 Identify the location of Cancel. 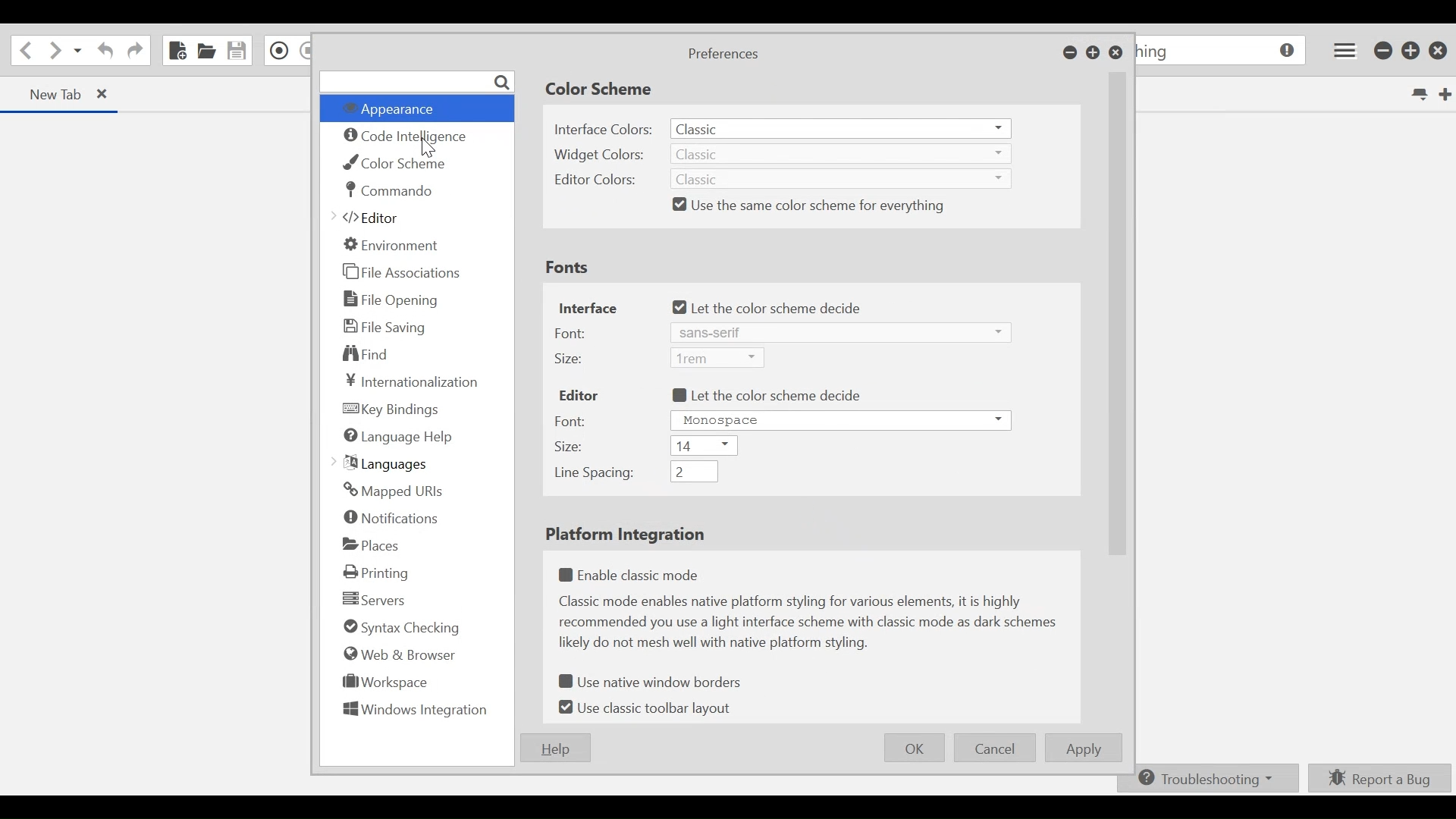
(995, 748).